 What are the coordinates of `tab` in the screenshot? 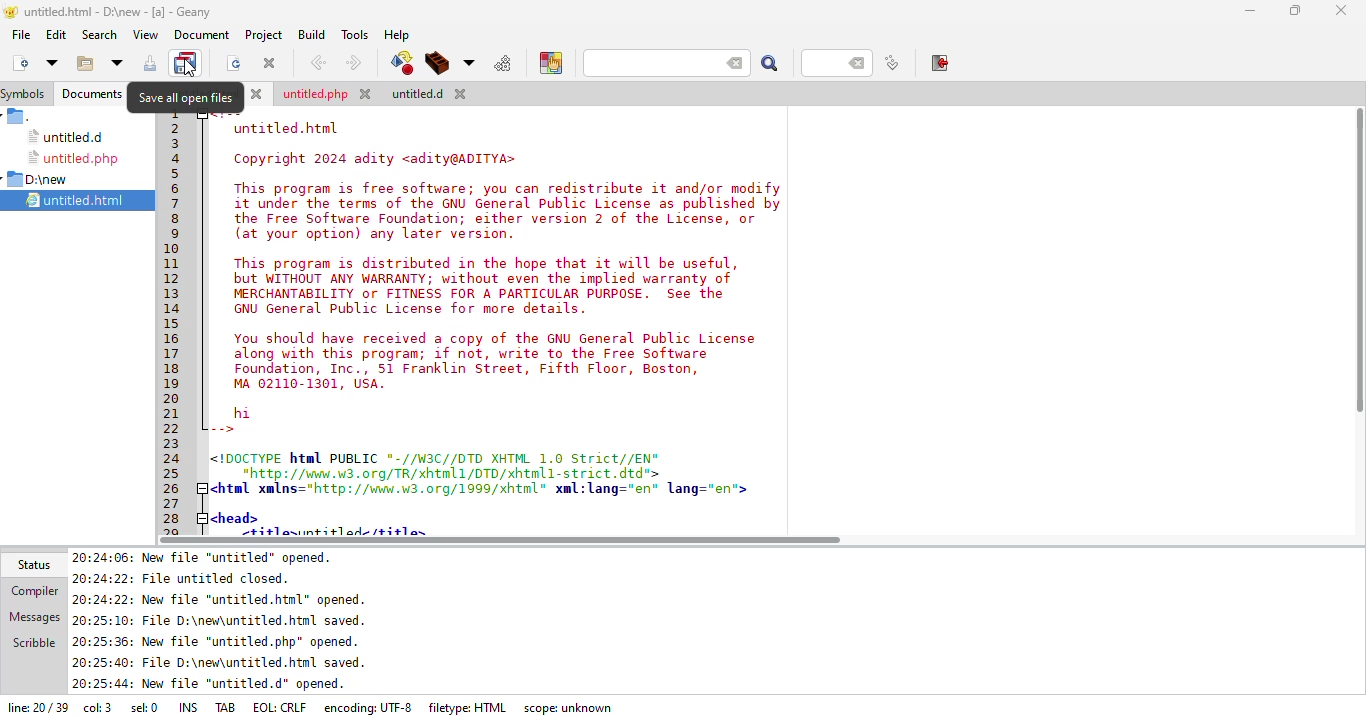 It's located at (226, 707).